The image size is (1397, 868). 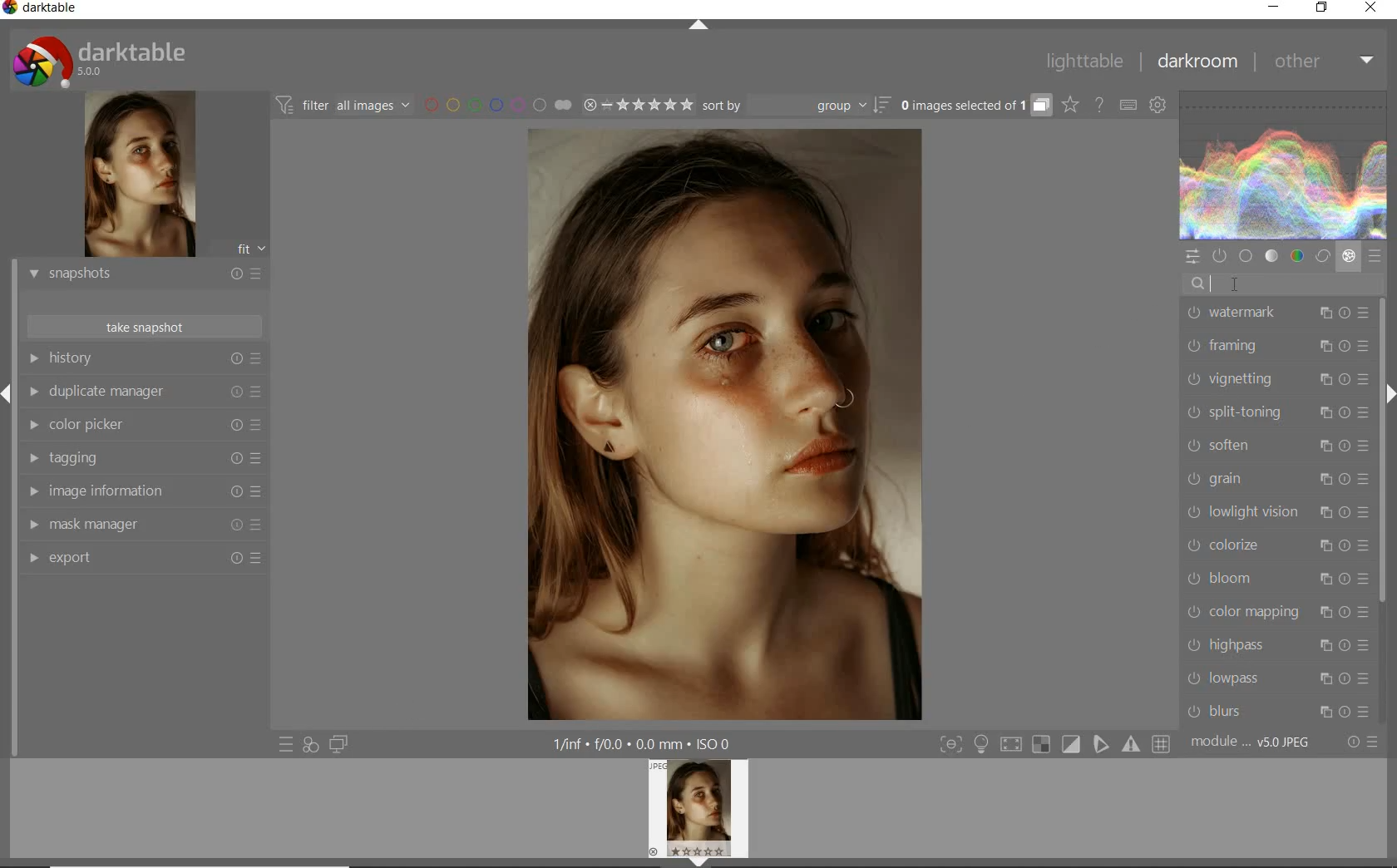 What do you see at coordinates (1274, 347) in the screenshot?
I see `framing` at bounding box center [1274, 347].